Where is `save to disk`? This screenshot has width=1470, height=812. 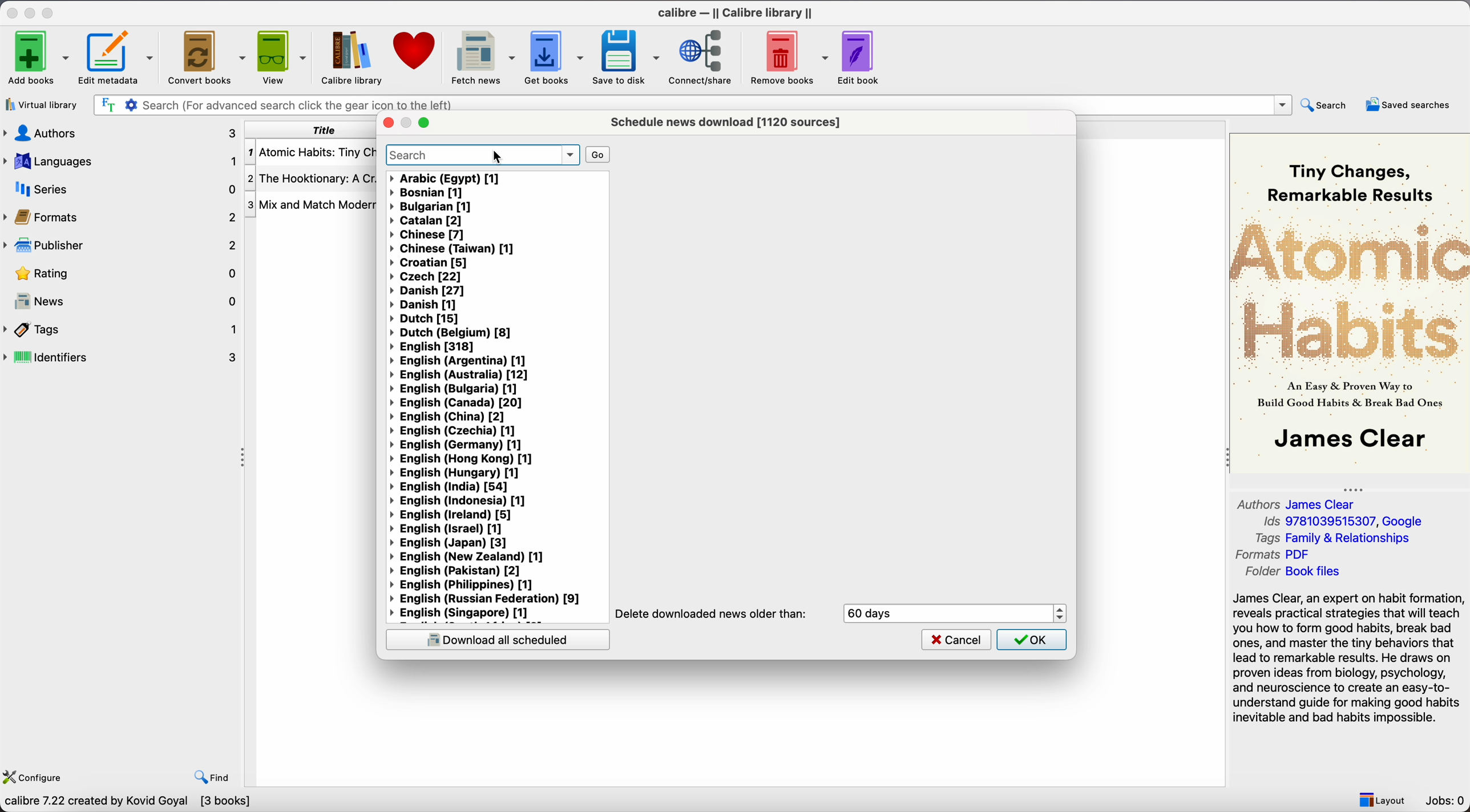 save to disk is located at coordinates (627, 57).